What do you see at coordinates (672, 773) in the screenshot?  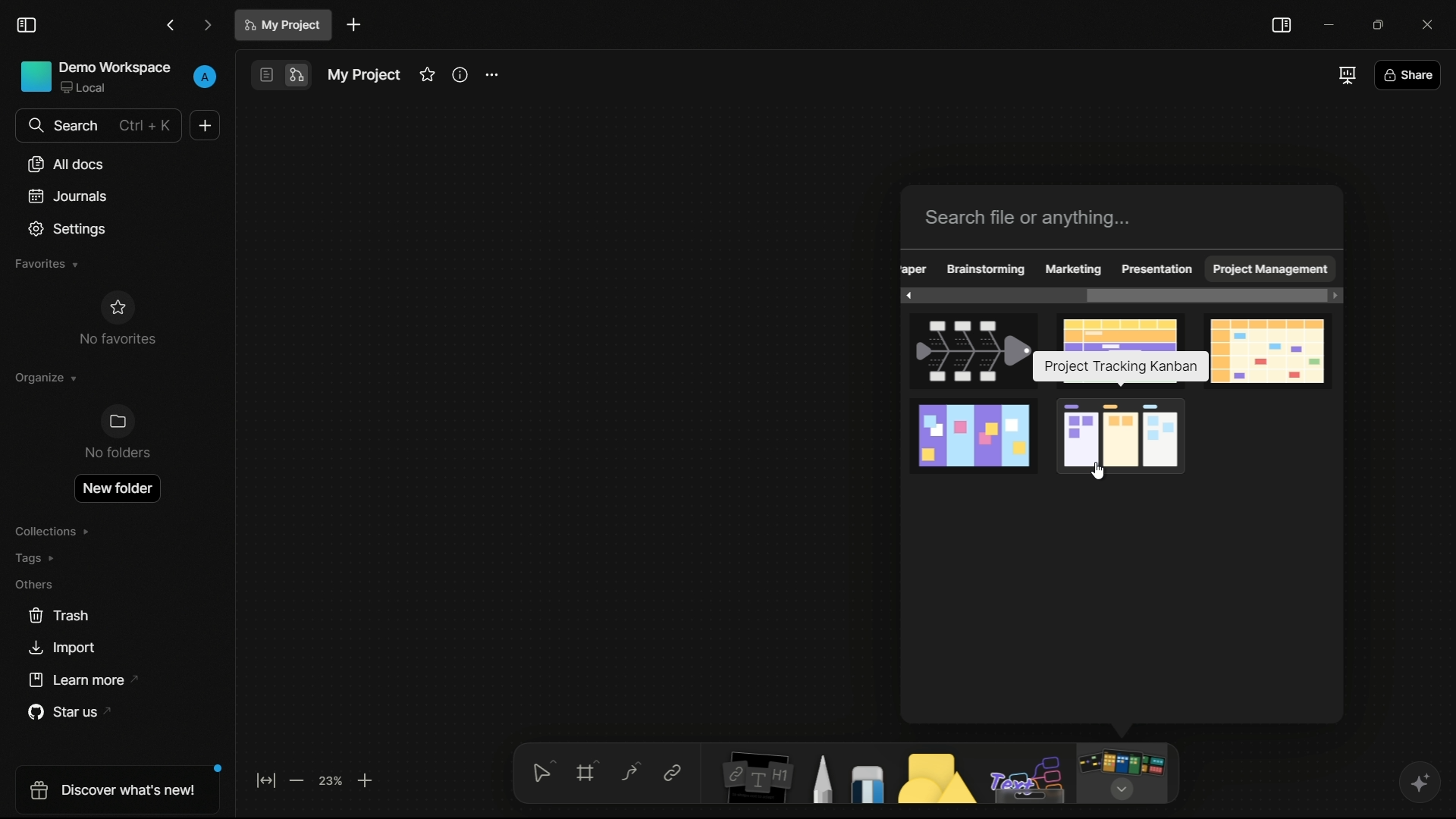 I see `link` at bounding box center [672, 773].